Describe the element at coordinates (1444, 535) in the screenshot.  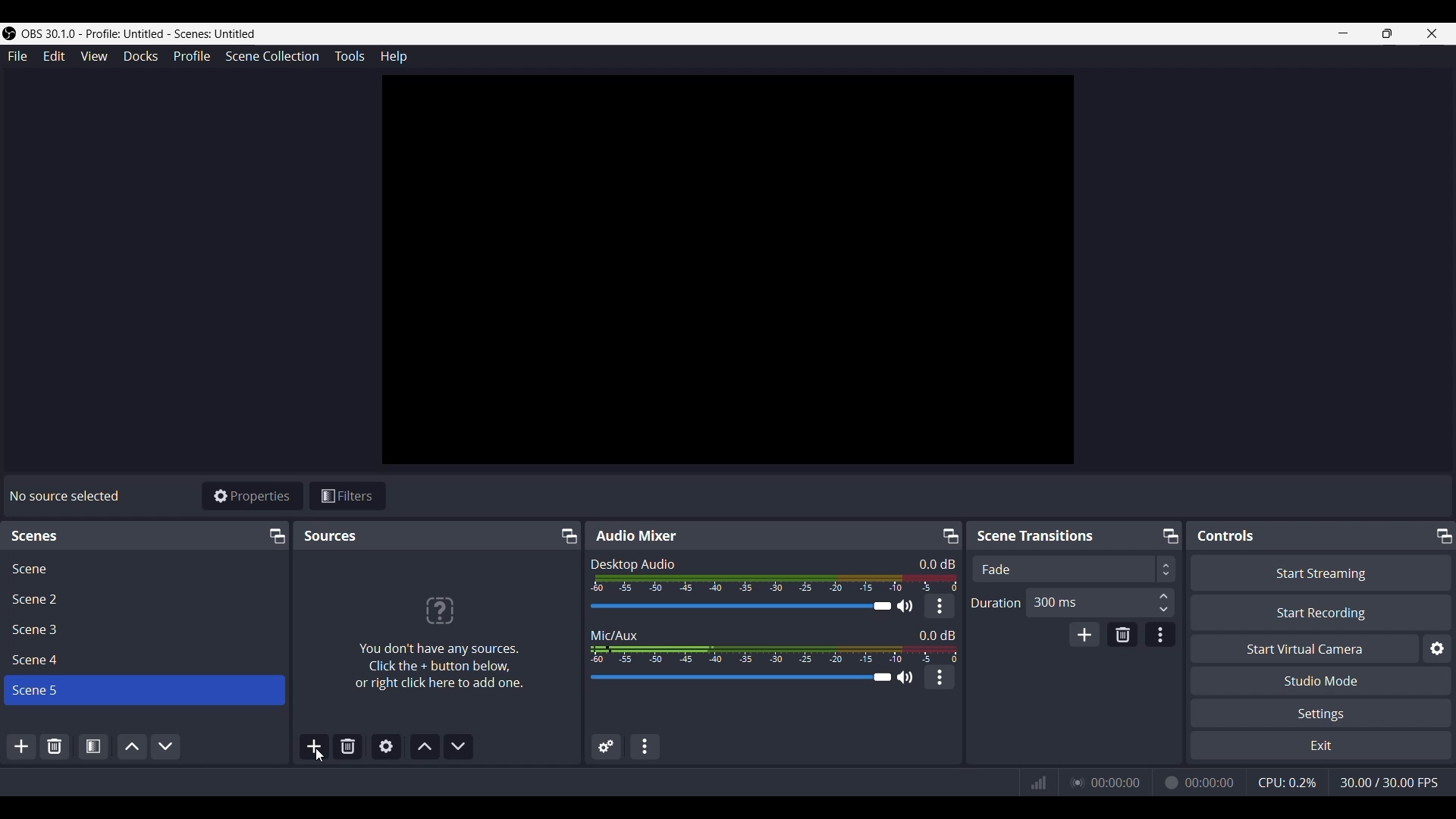
I see `Maximize` at that location.